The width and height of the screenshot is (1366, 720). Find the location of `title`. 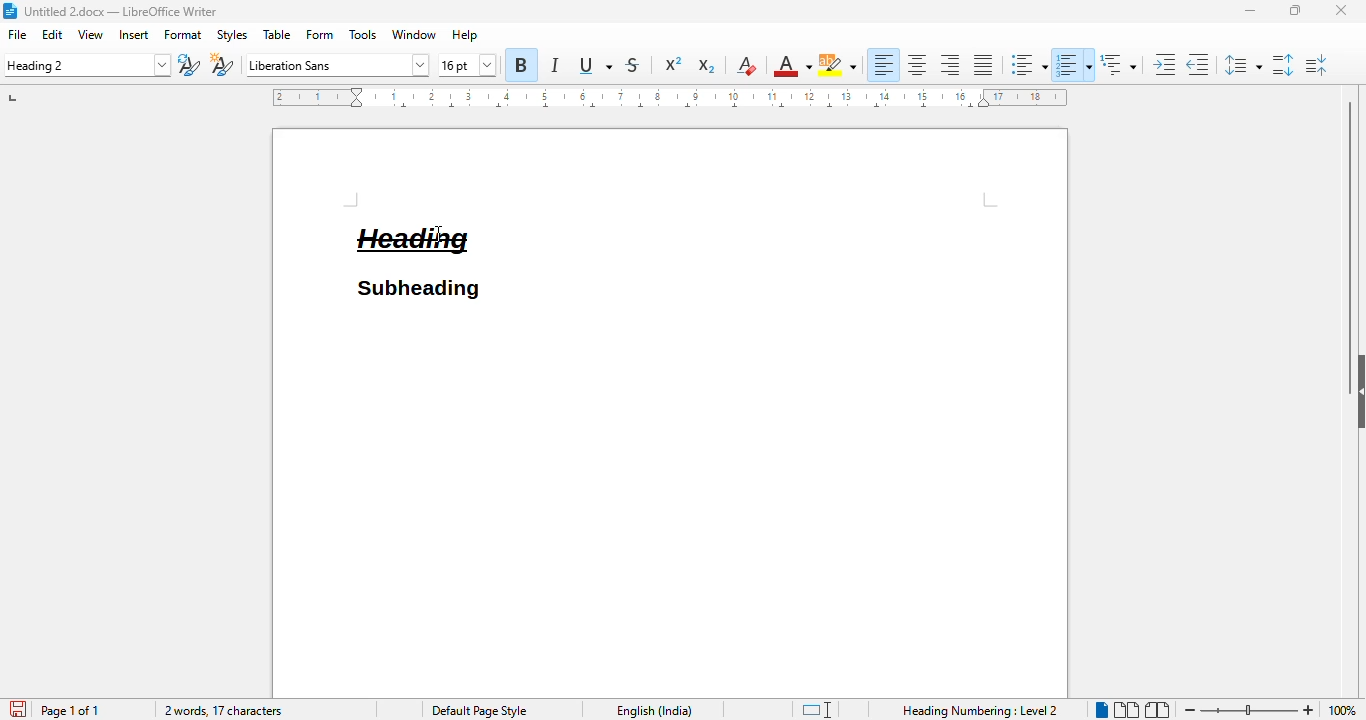

title is located at coordinates (121, 11).